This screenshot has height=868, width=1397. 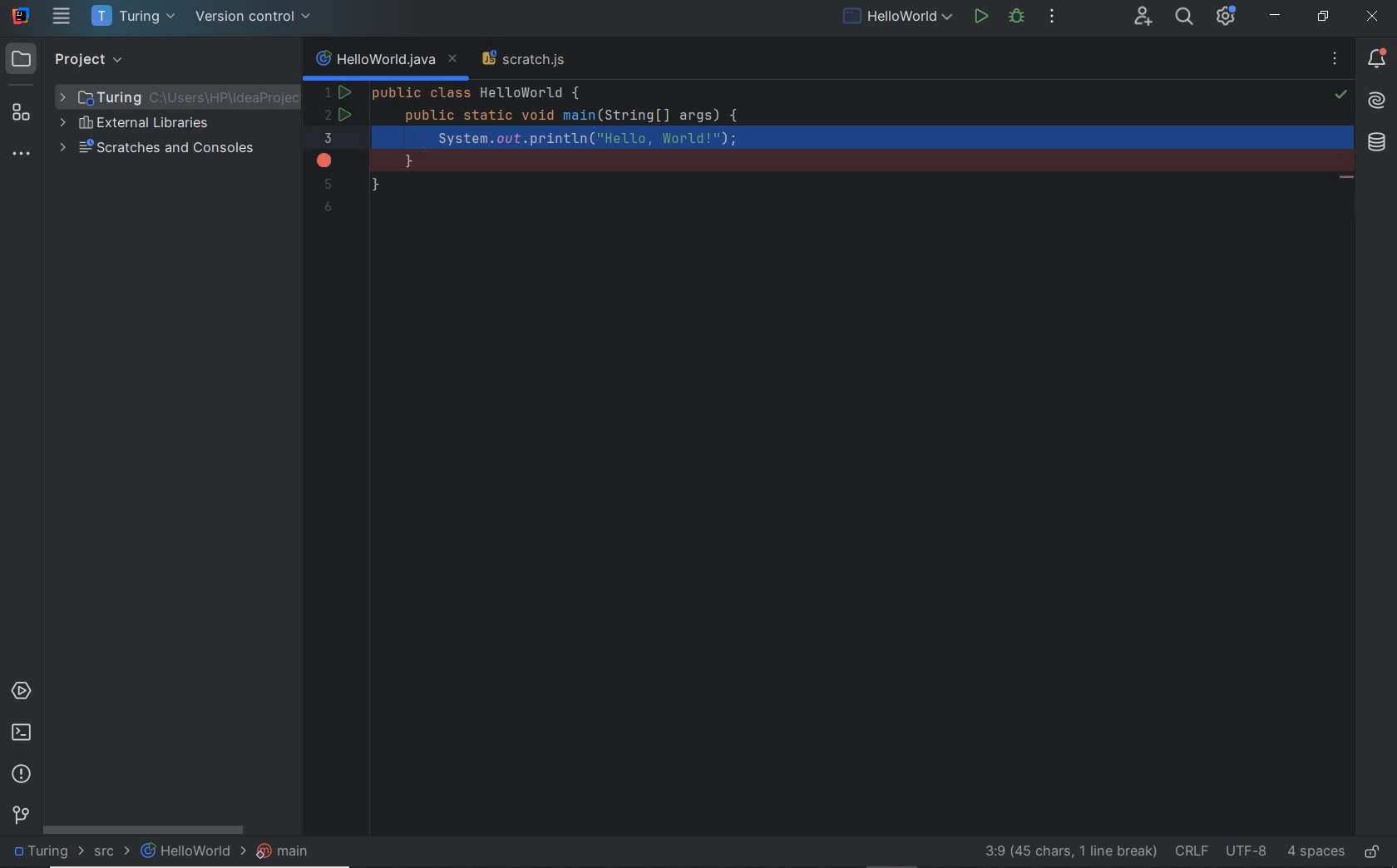 I want to click on make file ready only, so click(x=1373, y=850).